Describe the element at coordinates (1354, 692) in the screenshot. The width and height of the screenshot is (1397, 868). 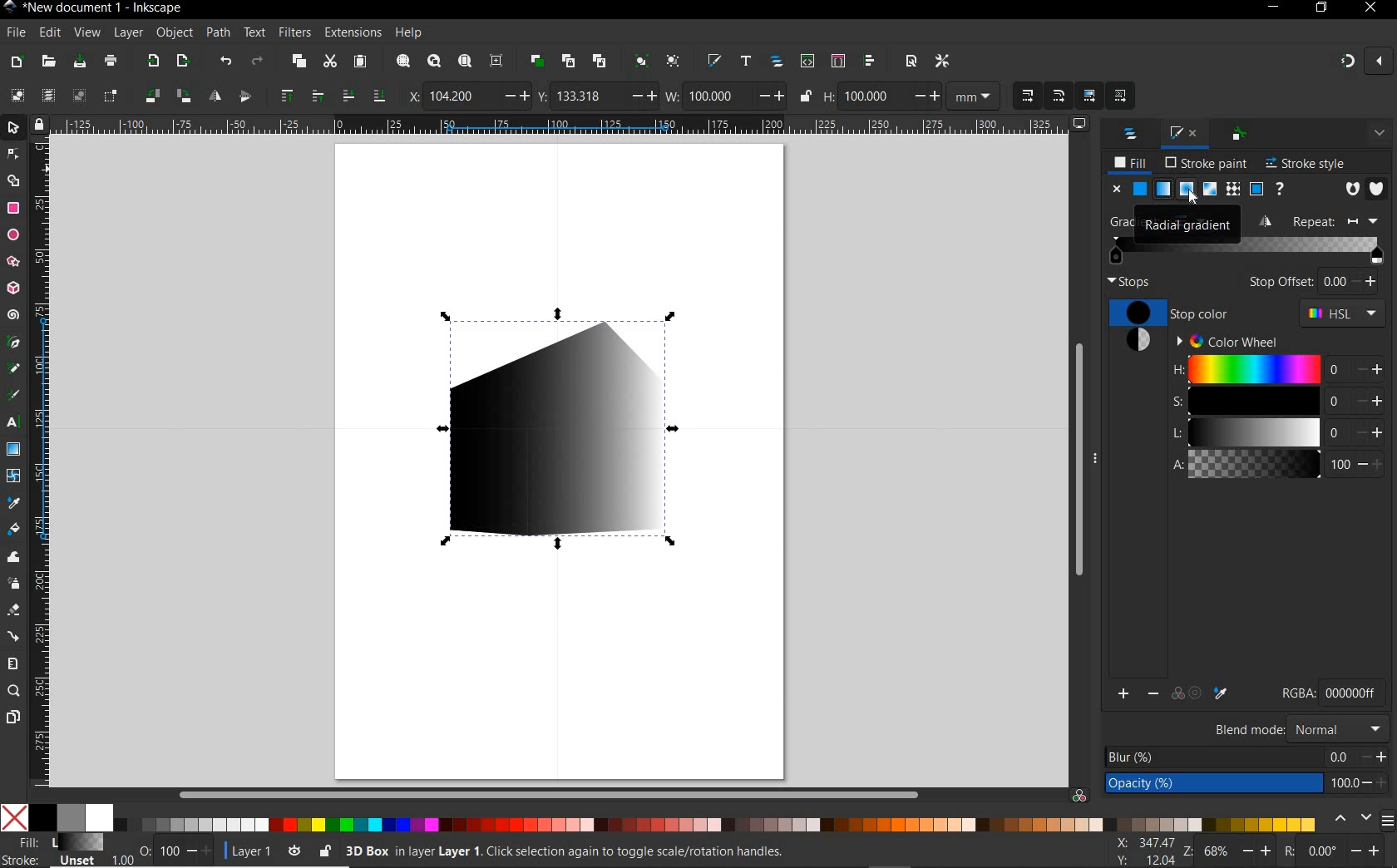
I see `COLOR MANAGED CODE` at that location.